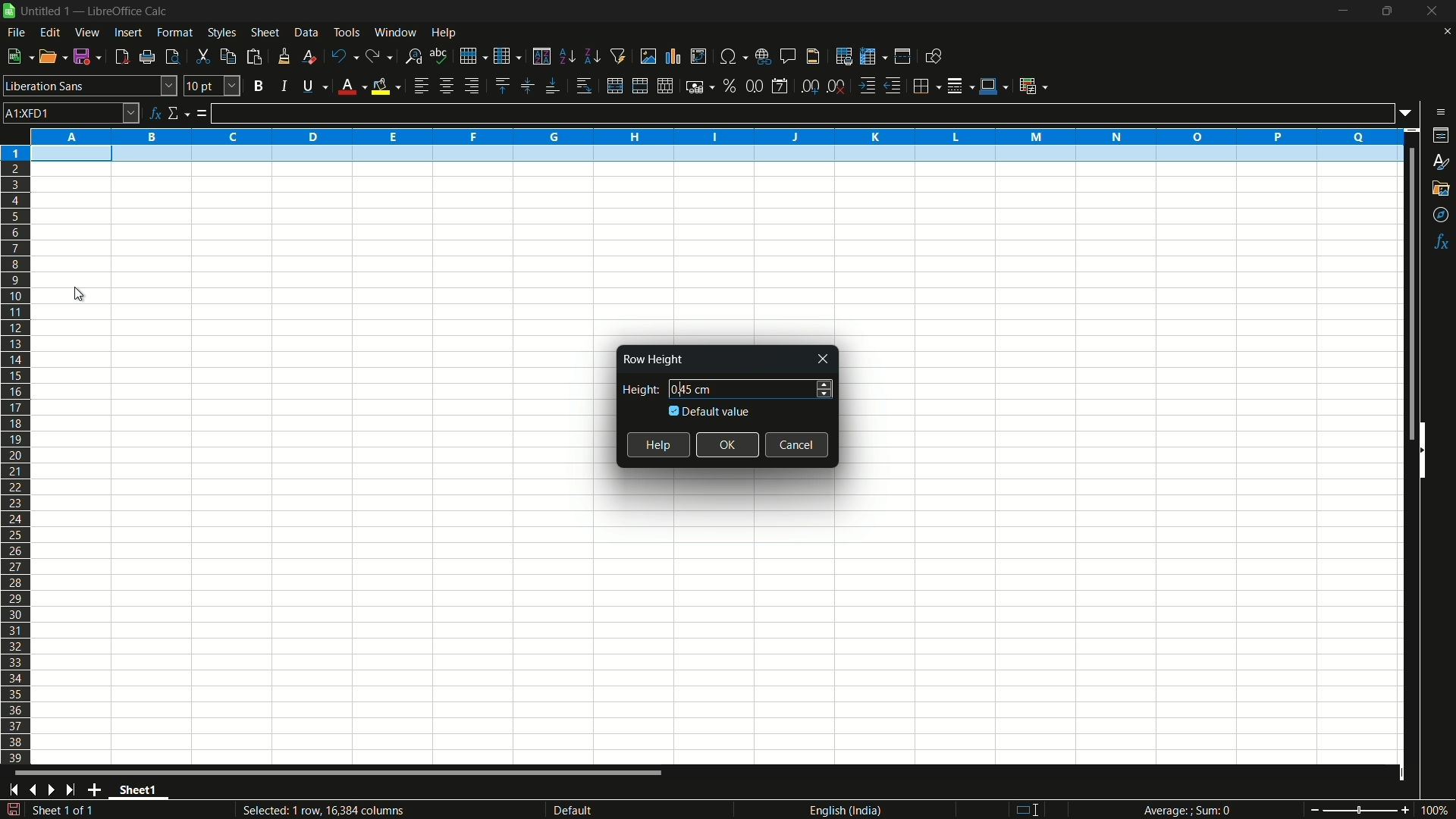 This screenshot has height=819, width=1456. I want to click on next sheet, so click(55, 789).